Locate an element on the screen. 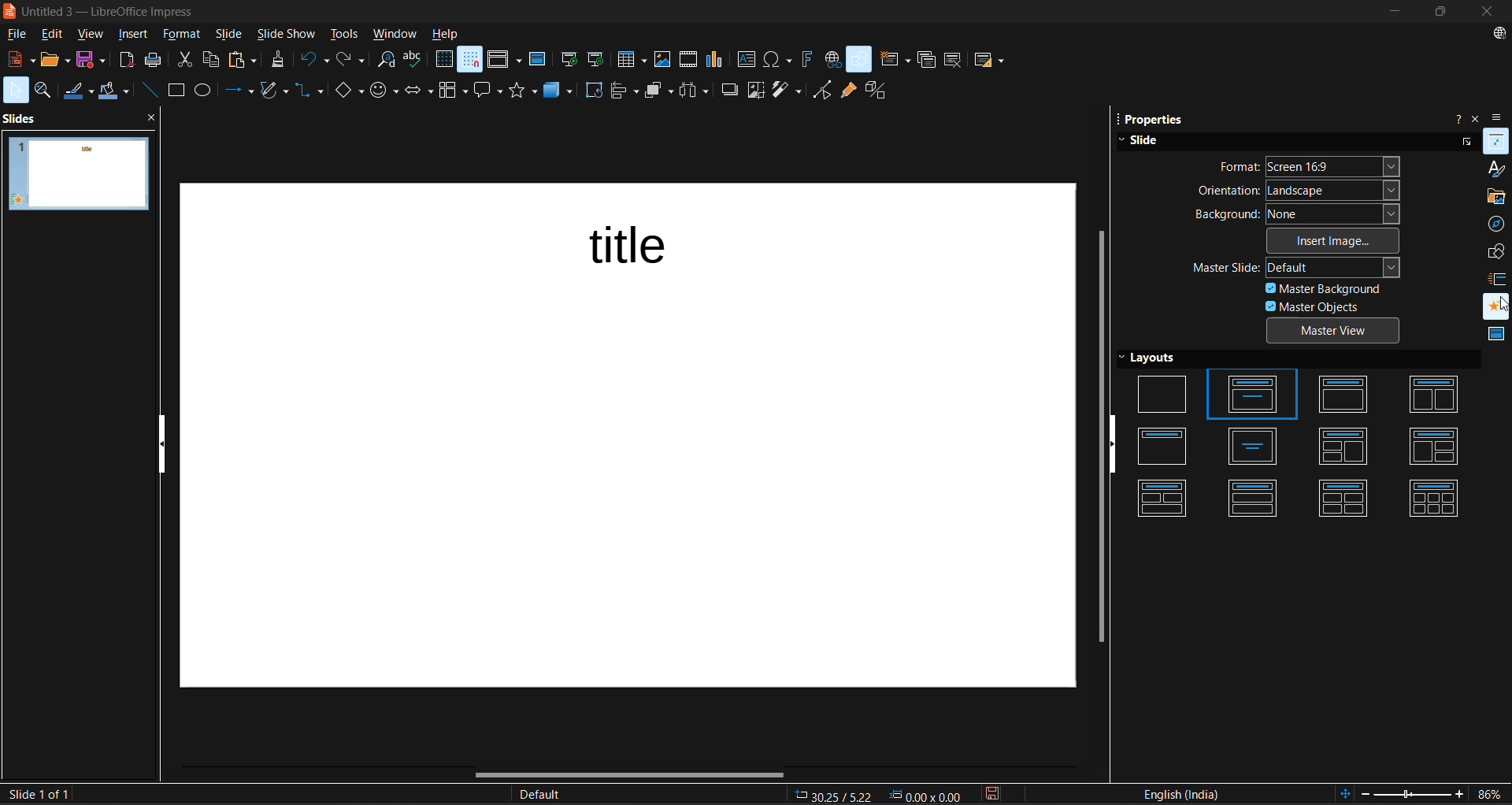  navigator is located at coordinates (1497, 224).